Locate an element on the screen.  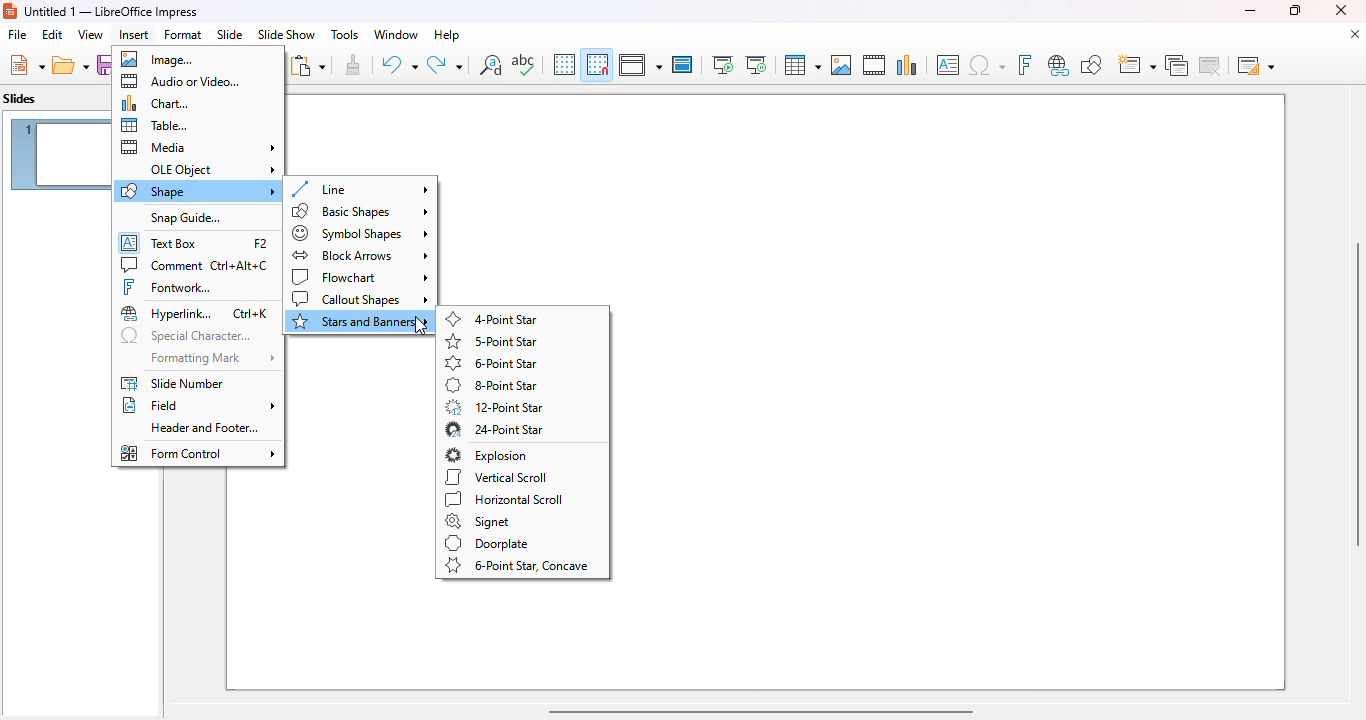
media is located at coordinates (198, 147).